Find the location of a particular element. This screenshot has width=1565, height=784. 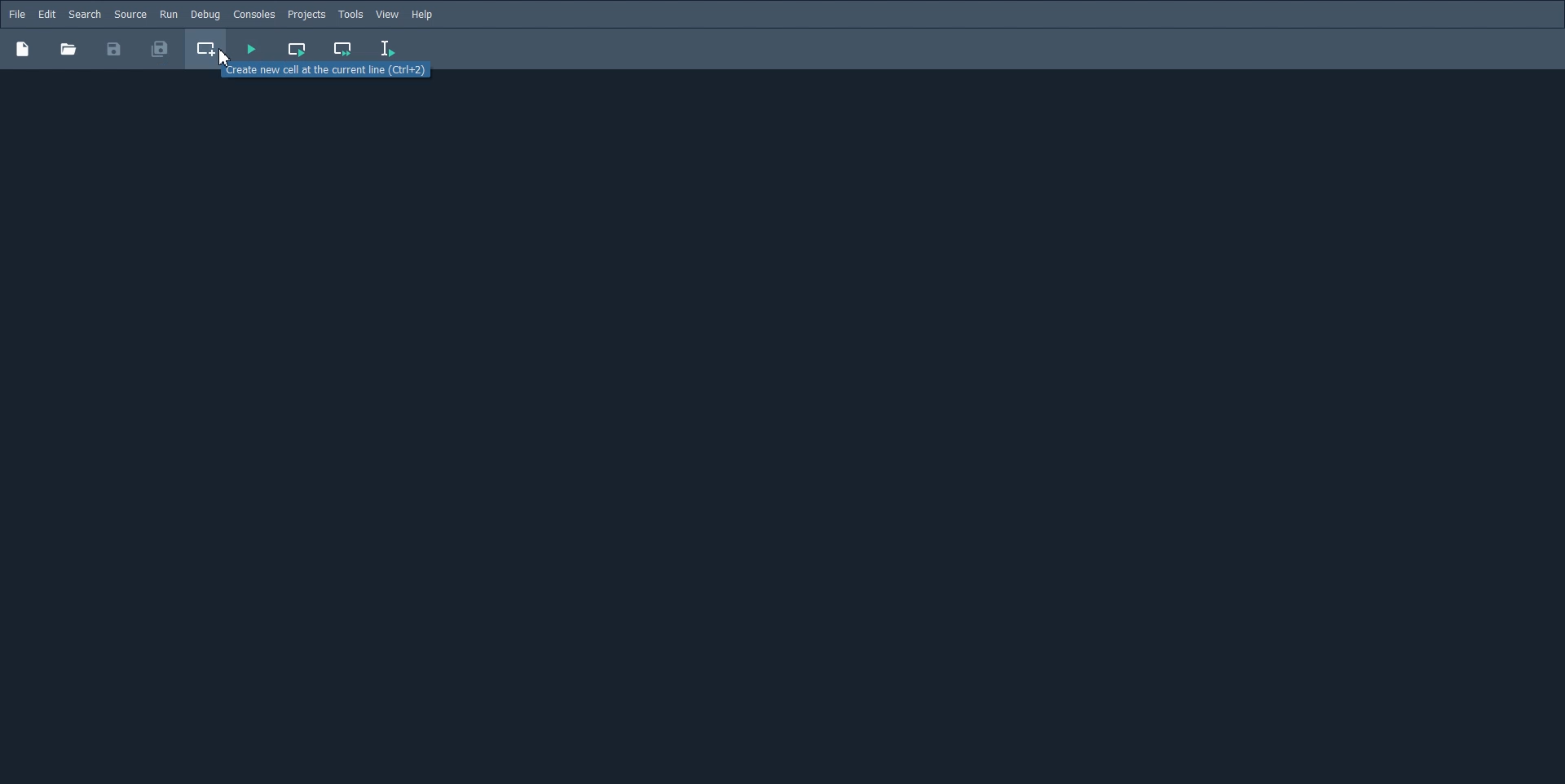

Debug is located at coordinates (205, 14).